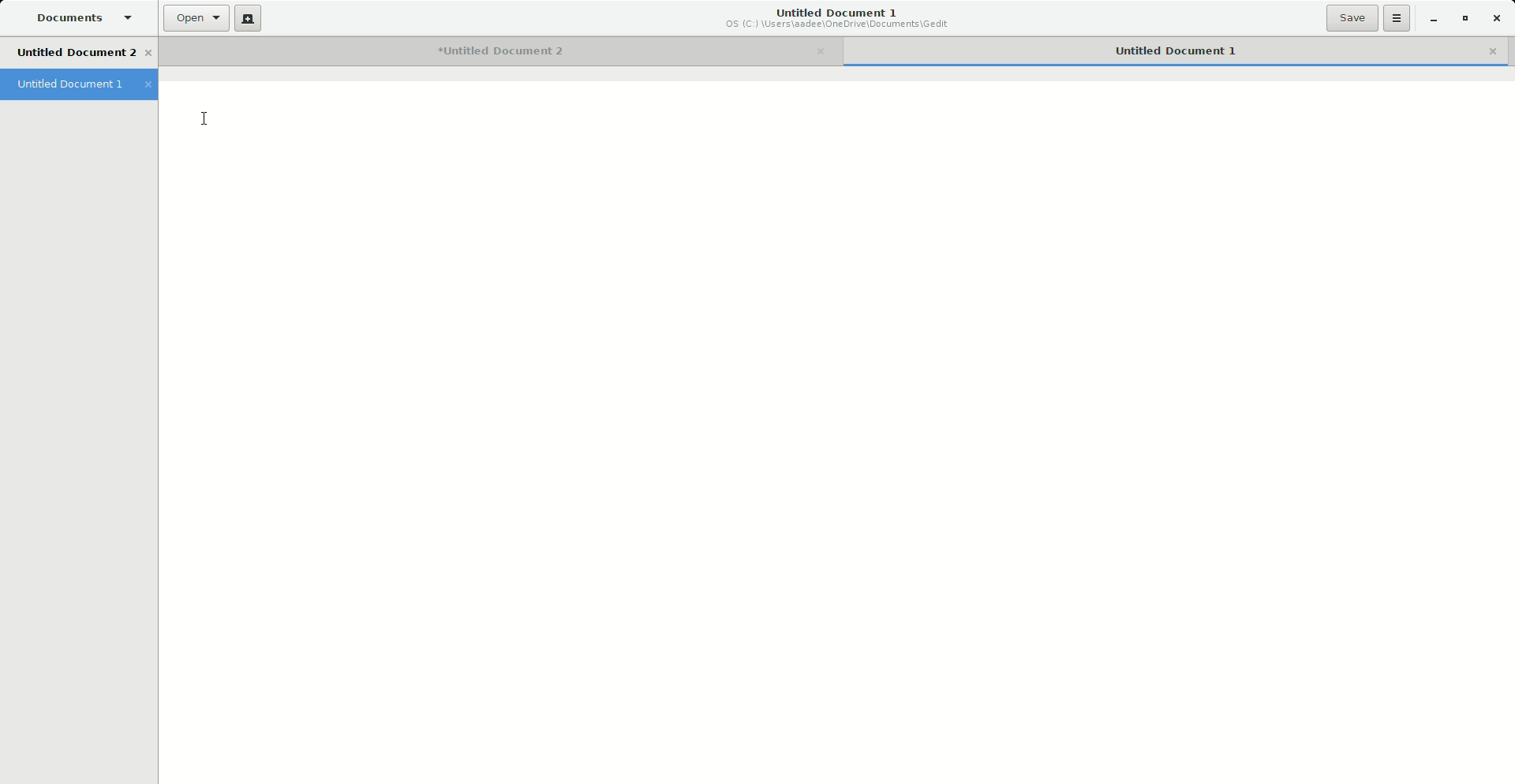 This screenshot has width=1515, height=784. I want to click on Untitled Document 1, so click(840, 18).